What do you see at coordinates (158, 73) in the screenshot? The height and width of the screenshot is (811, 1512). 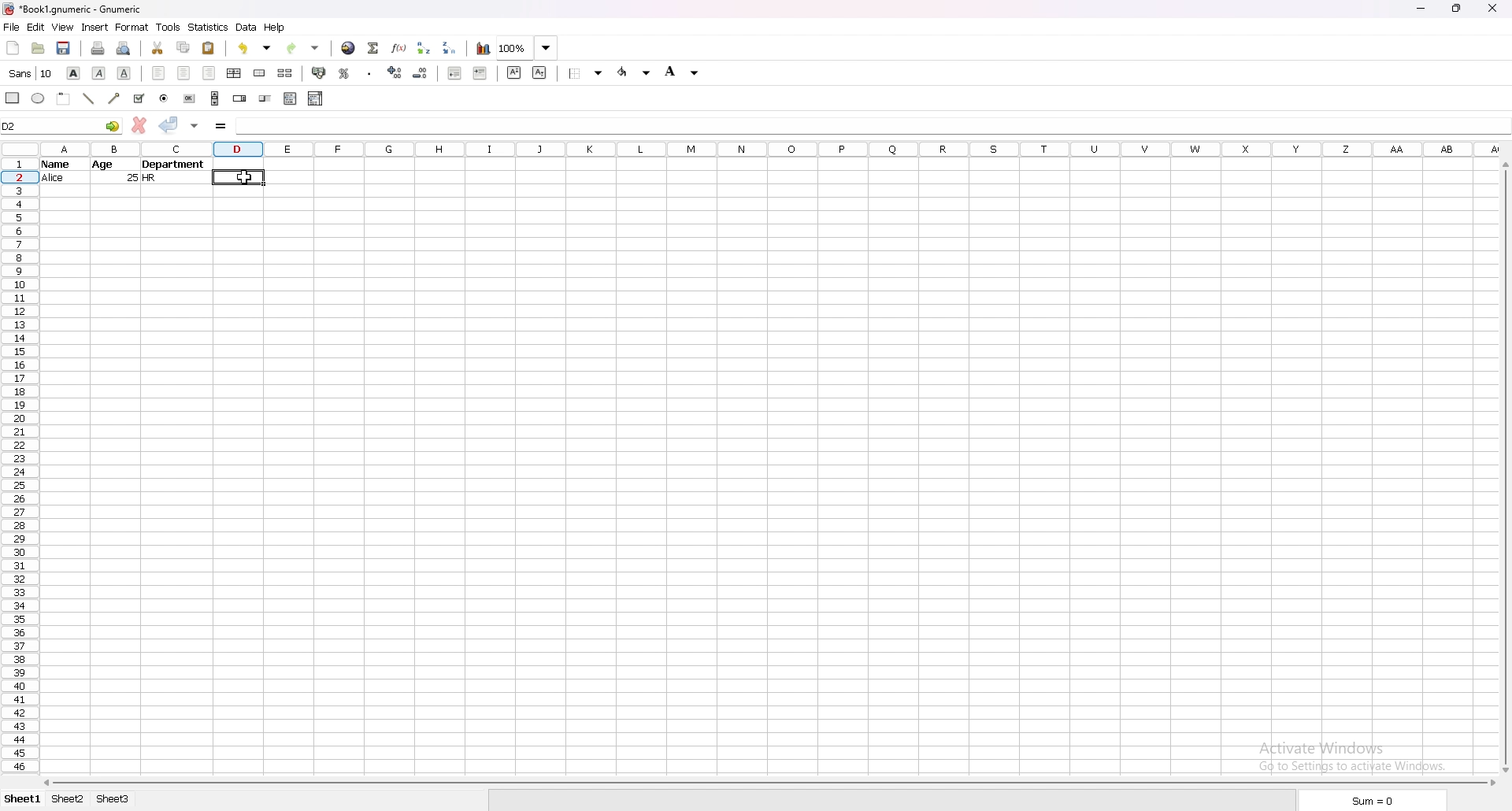 I see `left align` at bounding box center [158, 73].